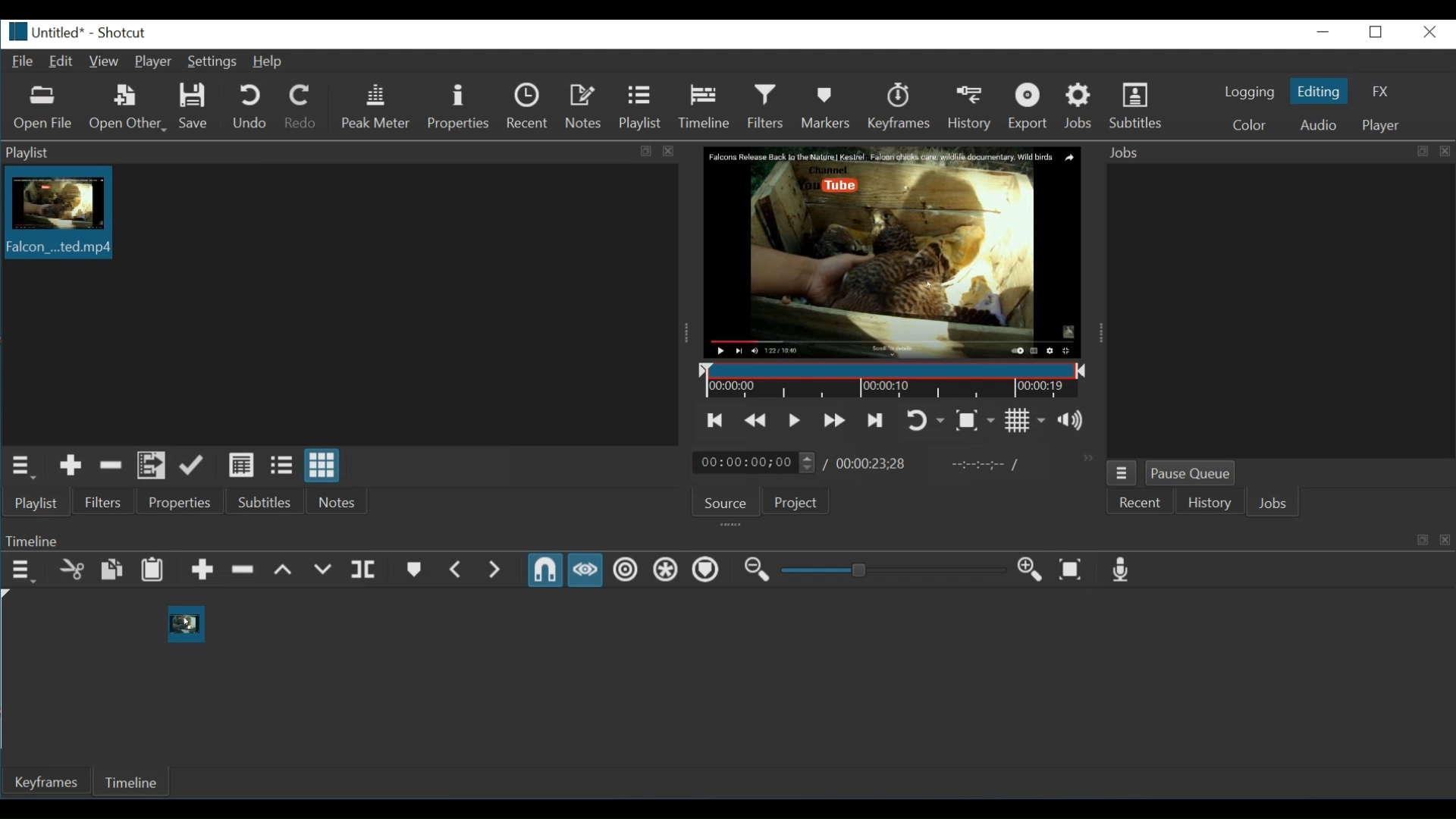 The image size is (1456, 819). I want to click on Scrub while dragging, so click(585, 570).